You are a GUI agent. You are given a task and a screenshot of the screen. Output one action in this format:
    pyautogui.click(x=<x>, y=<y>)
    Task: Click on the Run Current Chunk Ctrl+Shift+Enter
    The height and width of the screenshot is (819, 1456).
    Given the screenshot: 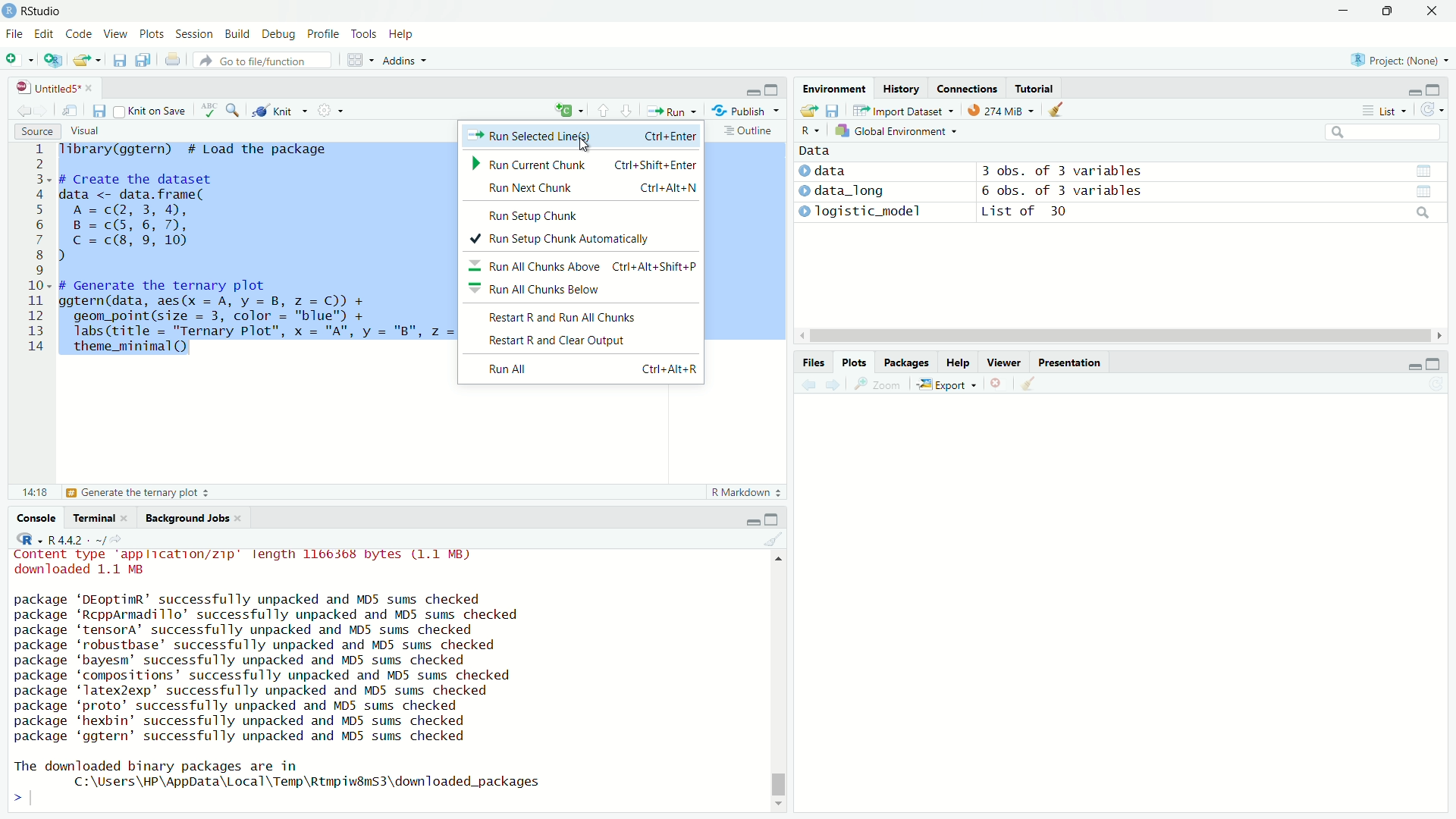 What is the action you would take?
    pyautogui.click(x=582, y=164)
    